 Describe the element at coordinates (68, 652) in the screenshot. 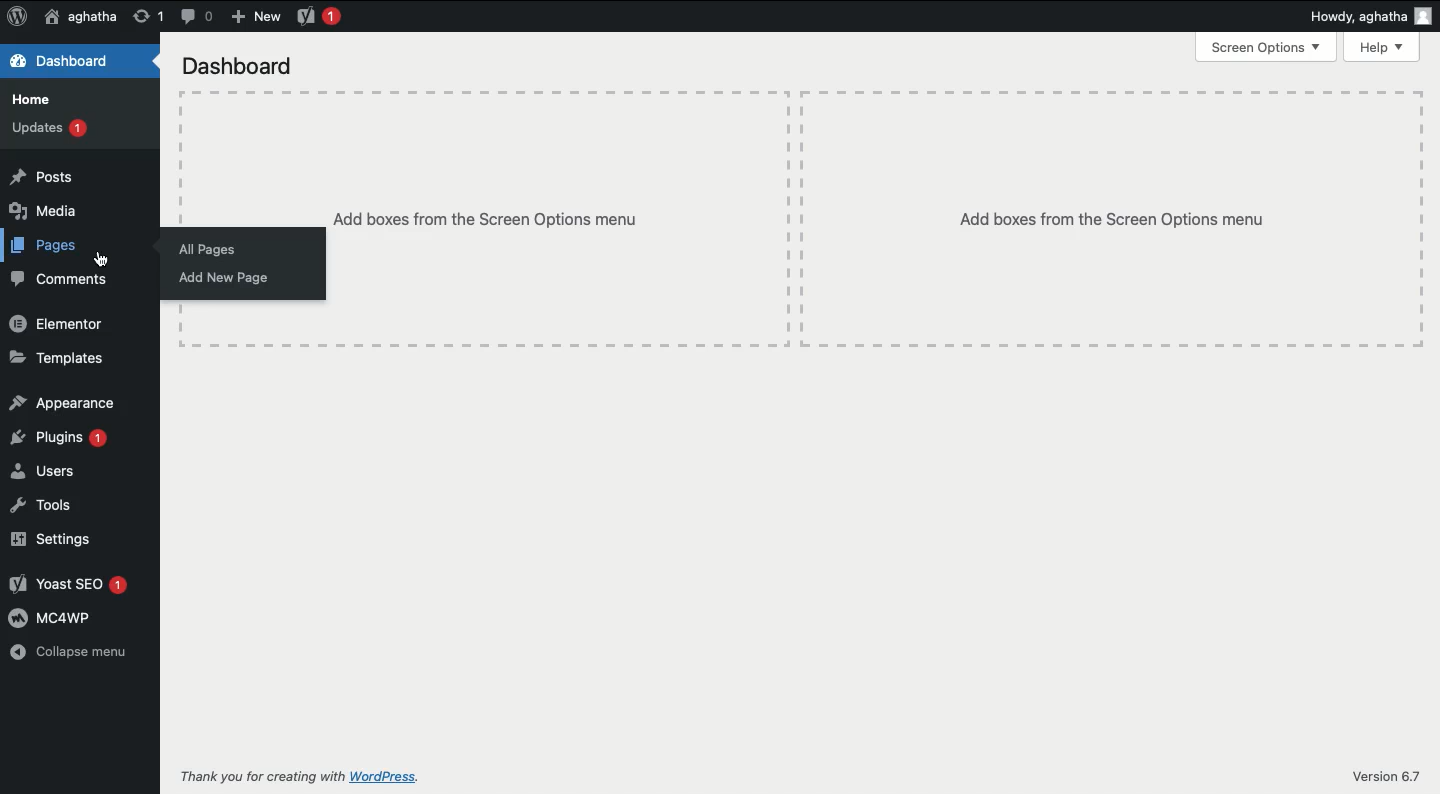

I see `Collapse menu` at that location.